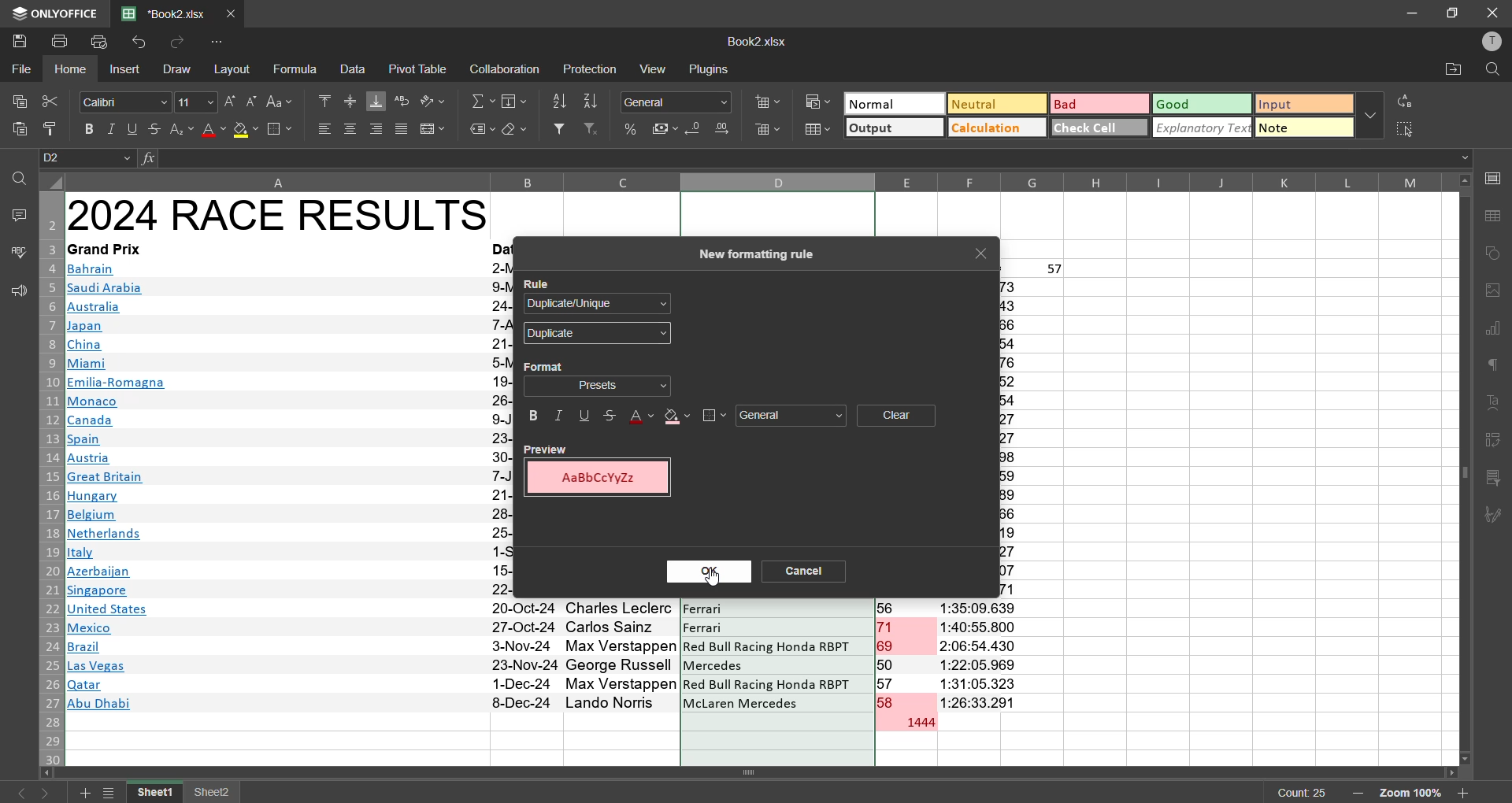 Image resolution: width=1512 pixels, height=803 pixels. What do you see at coordinates (1494, 290) in the screenshot?
I see `images` at bounding box center [1494, 290].